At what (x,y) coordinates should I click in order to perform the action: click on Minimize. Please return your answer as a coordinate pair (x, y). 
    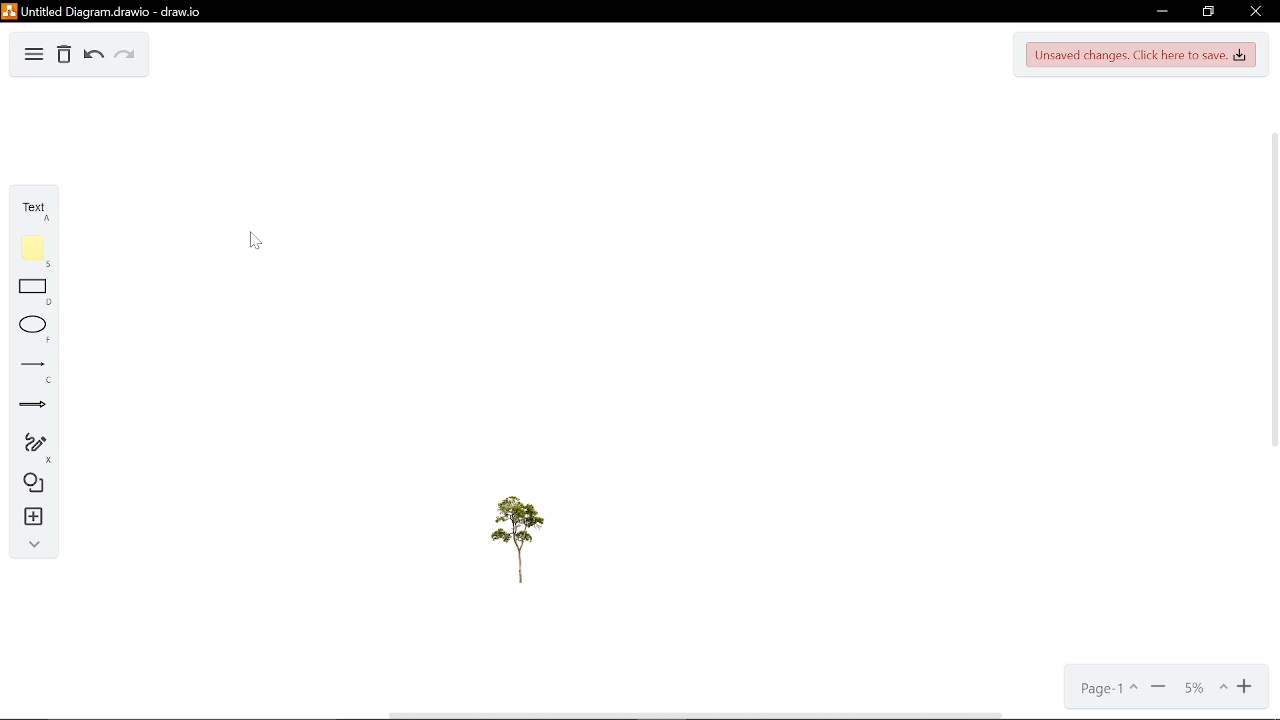
    Looking at the image, I should click on (1163, 11).